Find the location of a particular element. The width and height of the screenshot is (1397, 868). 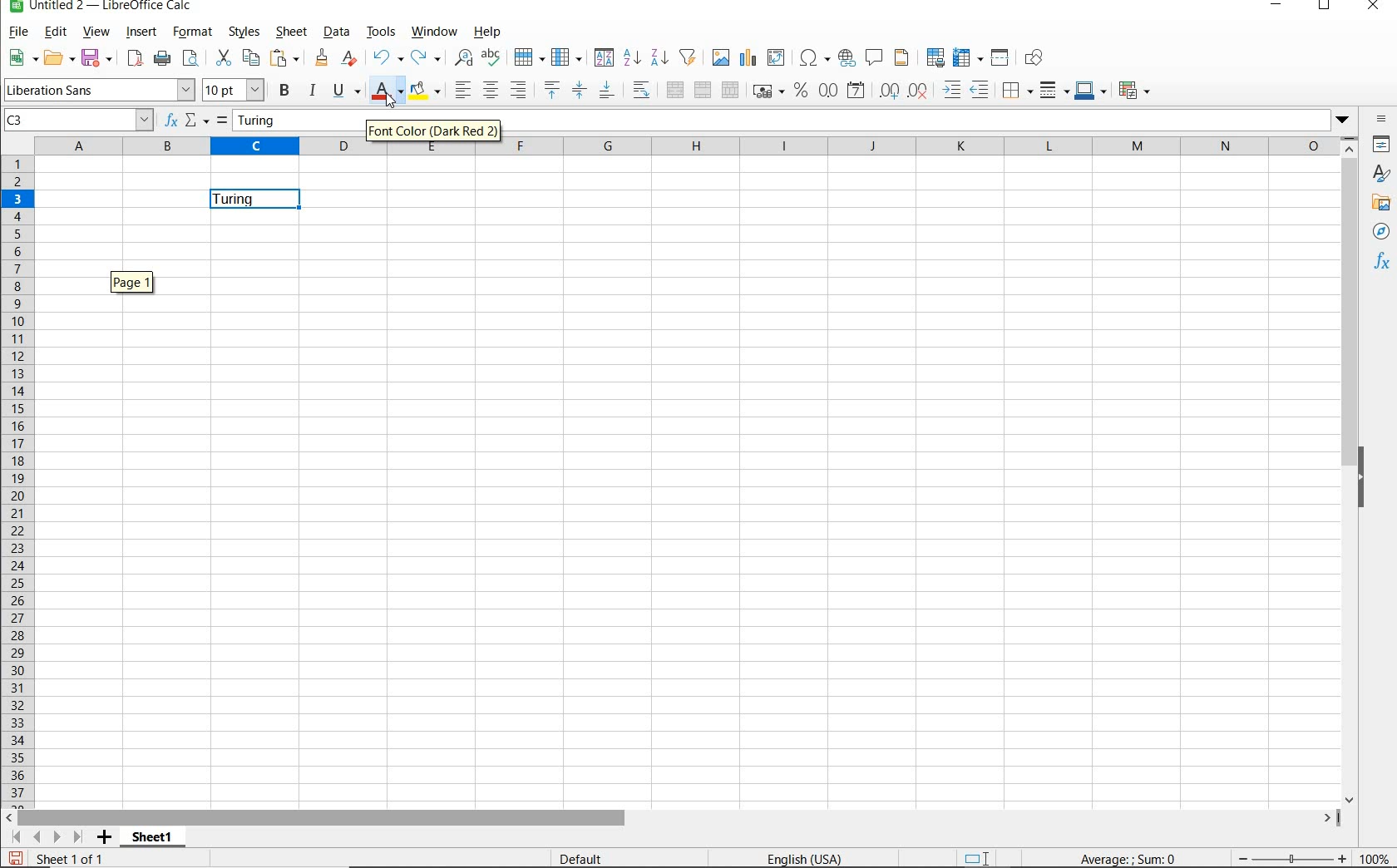

FONT COLOR is located at coordinates (388, 93).